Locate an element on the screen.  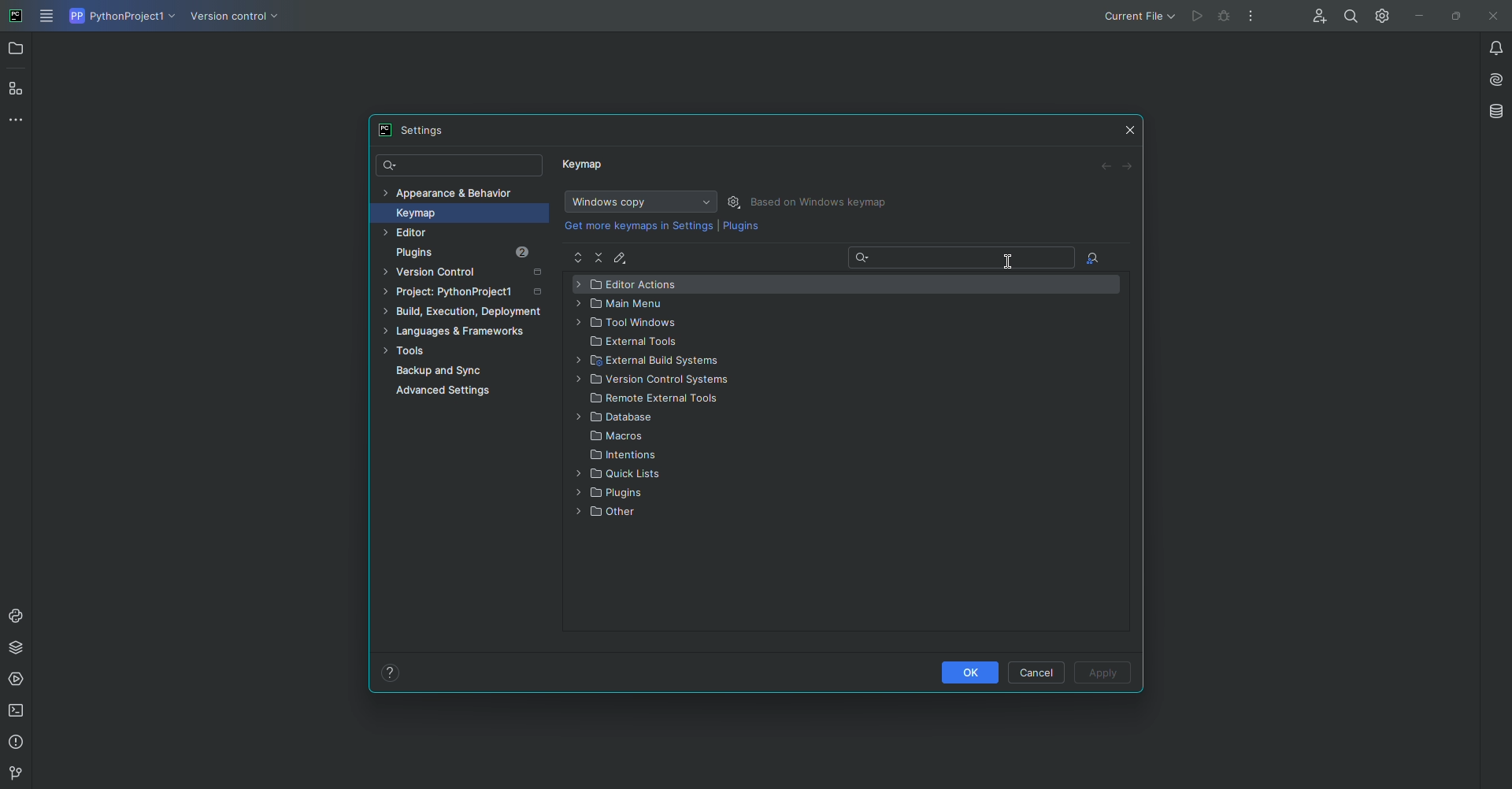
Build, execution, development is located at coordinates (467, 314).